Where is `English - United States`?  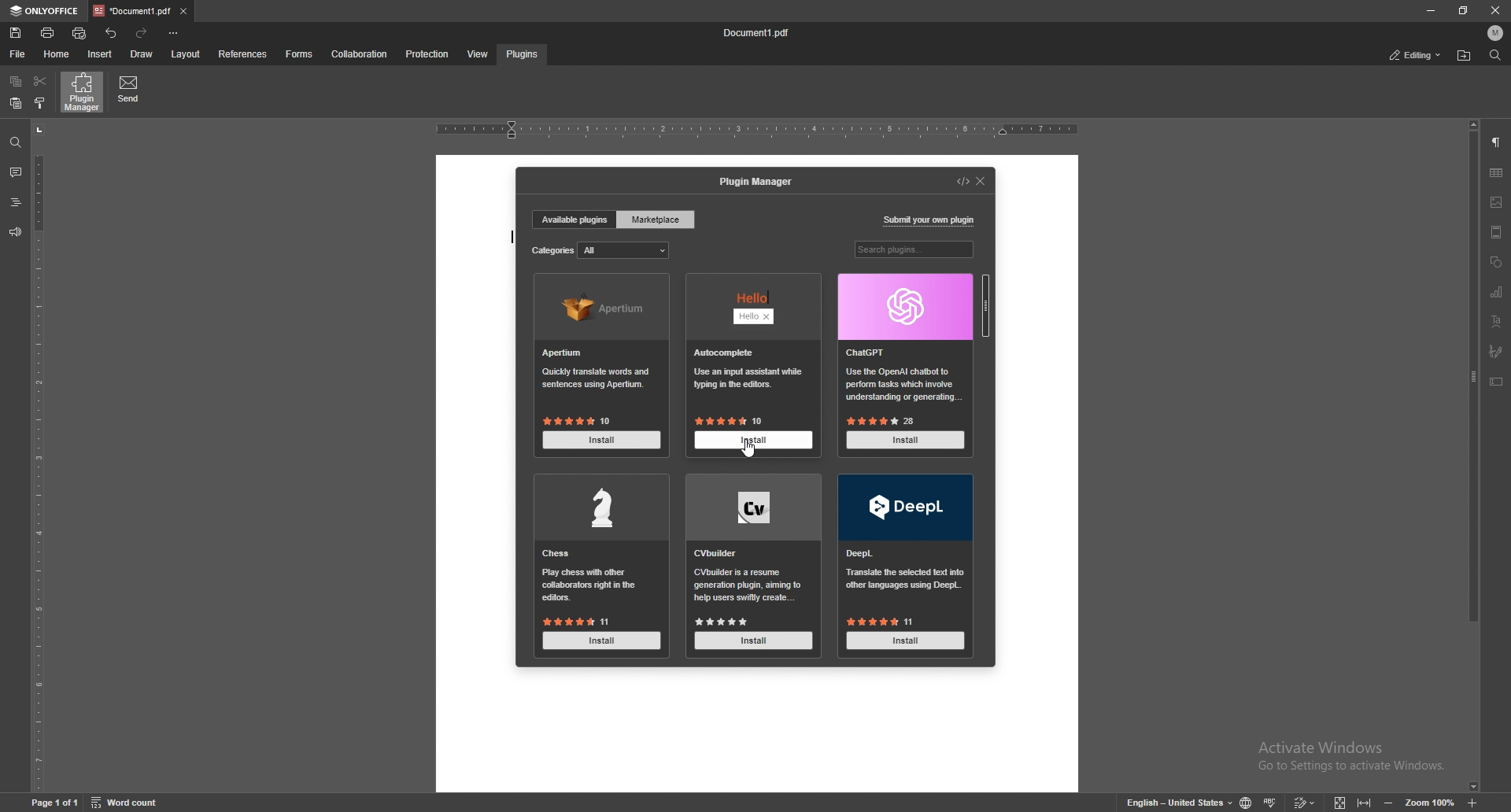
English - United States is located at coordinates (1173, 803).